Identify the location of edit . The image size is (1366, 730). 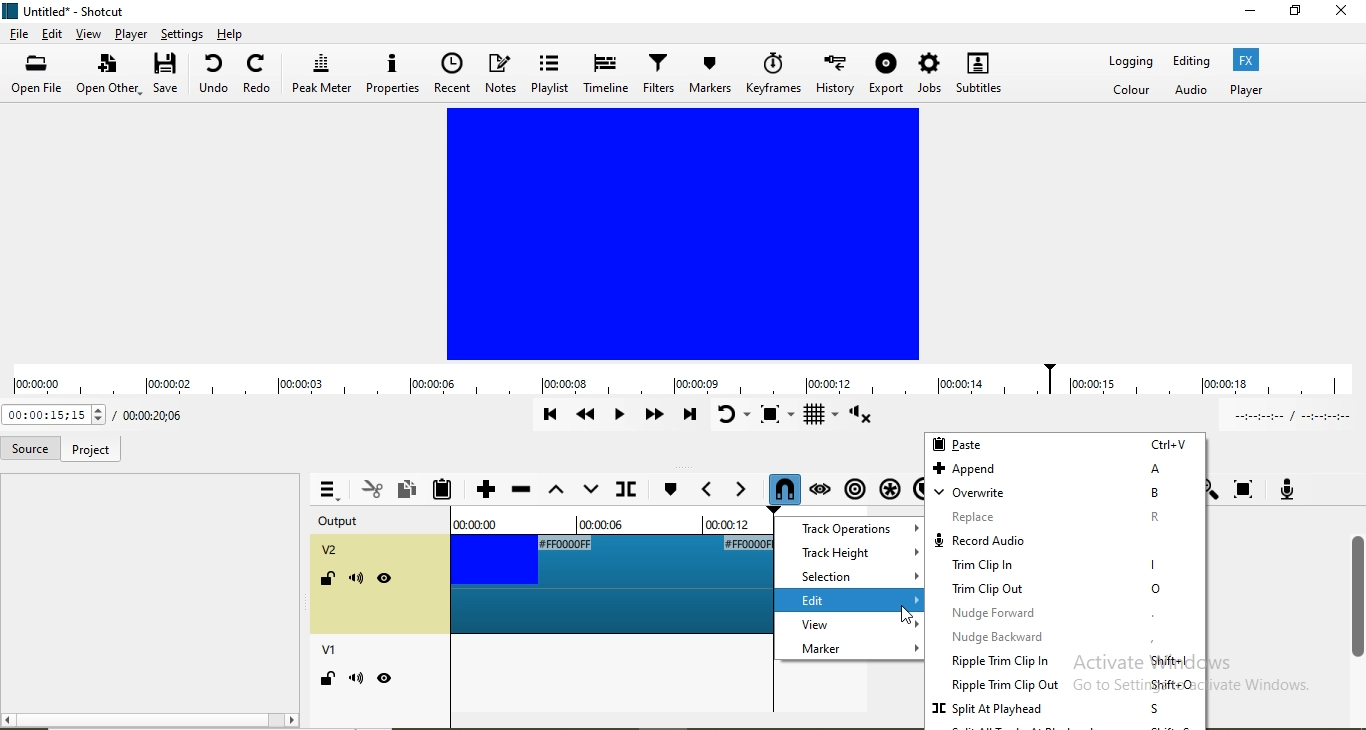
(53, 34).